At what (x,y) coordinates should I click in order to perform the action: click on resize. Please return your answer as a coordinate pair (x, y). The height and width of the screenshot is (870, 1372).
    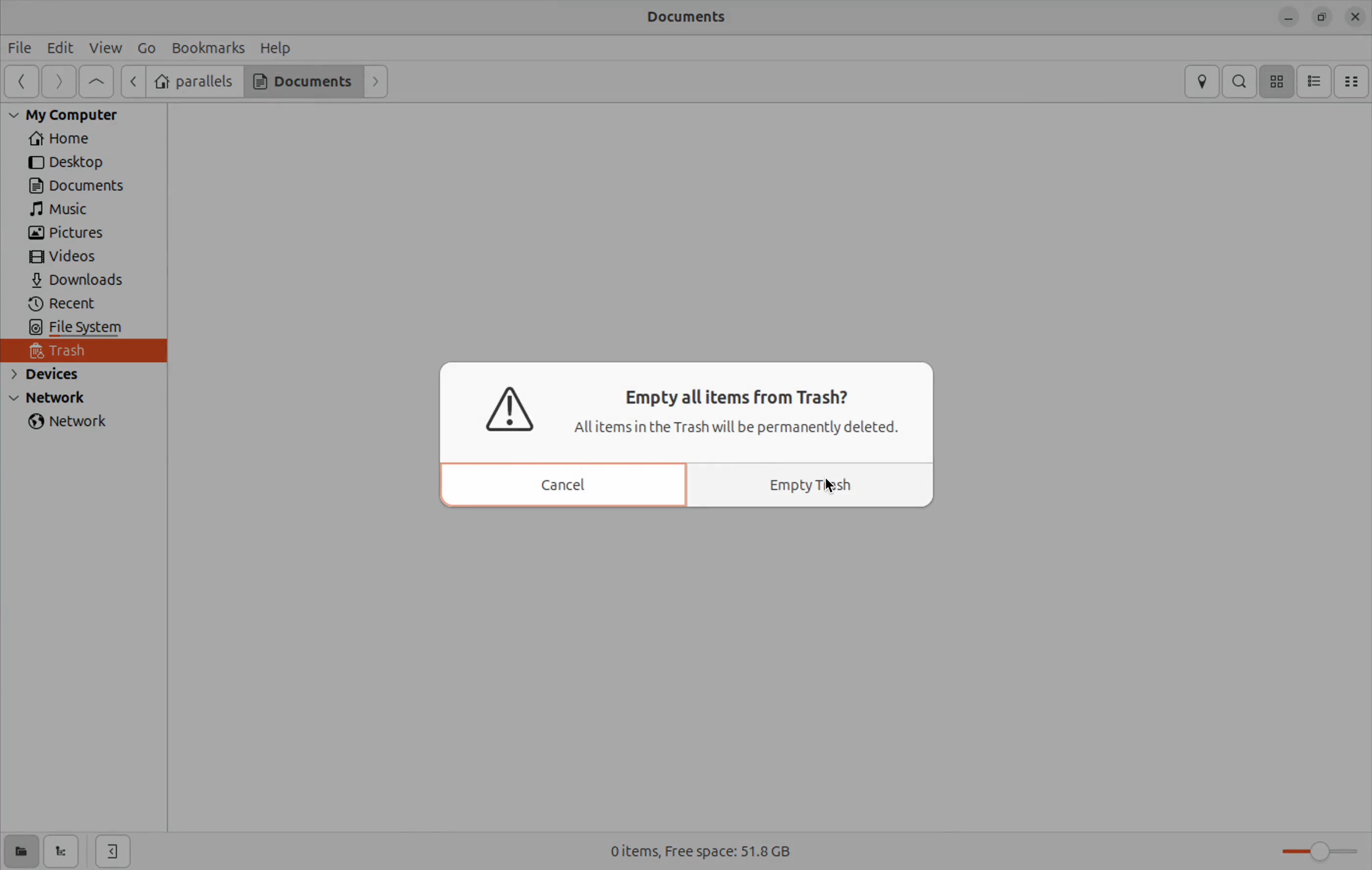
    Looking at the image, I should click on (1322, 17).